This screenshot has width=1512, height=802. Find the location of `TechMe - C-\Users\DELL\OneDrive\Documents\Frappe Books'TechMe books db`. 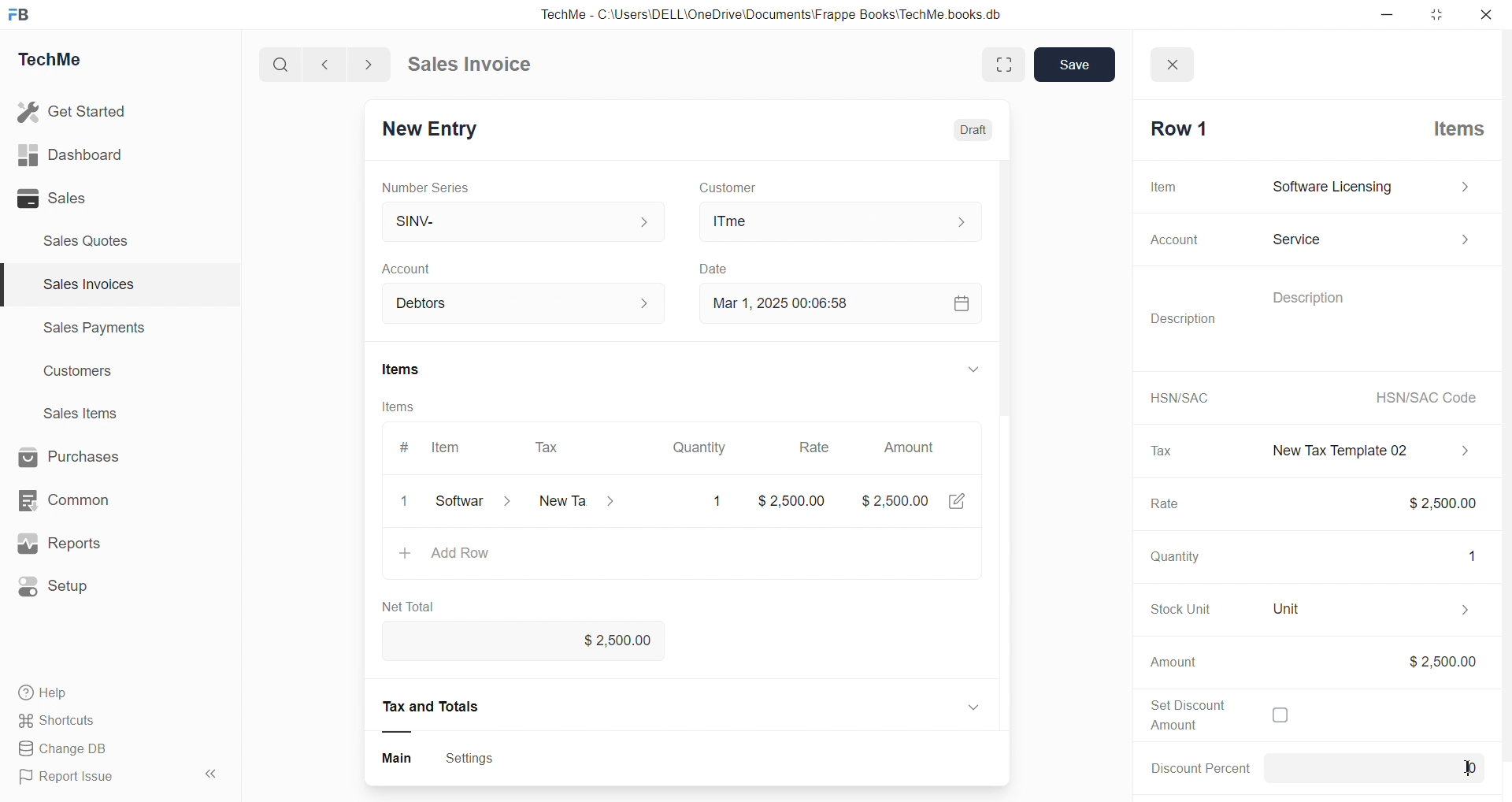

TechMe - C-\Users\DELL\OneDrive\Documents\Frappe Books'TechMe books db is located at coordinates (787, 12).